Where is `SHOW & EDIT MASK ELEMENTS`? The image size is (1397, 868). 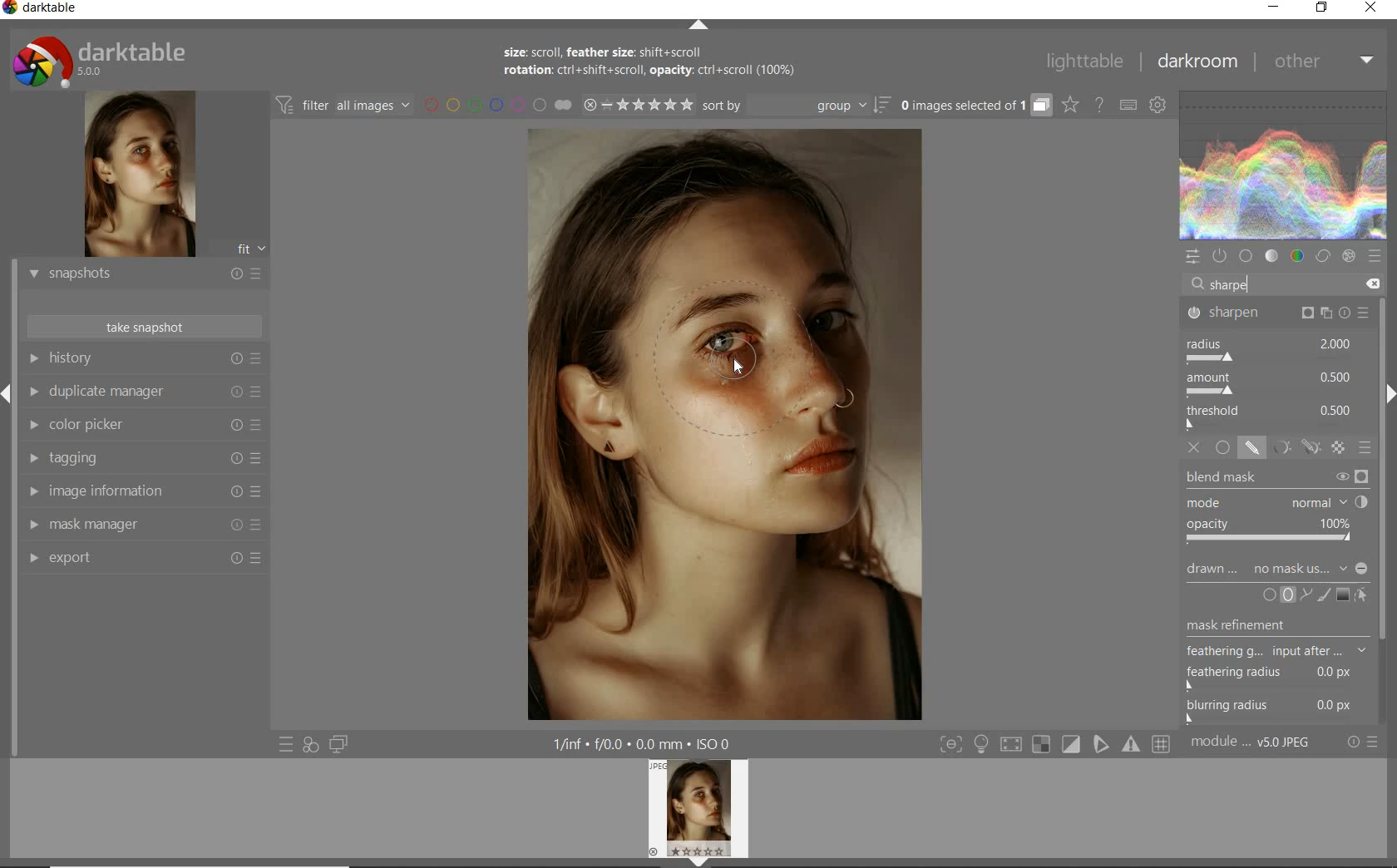
SHOW & EDIT MASK ELEMENTS is located at coordinates (1363, 595).